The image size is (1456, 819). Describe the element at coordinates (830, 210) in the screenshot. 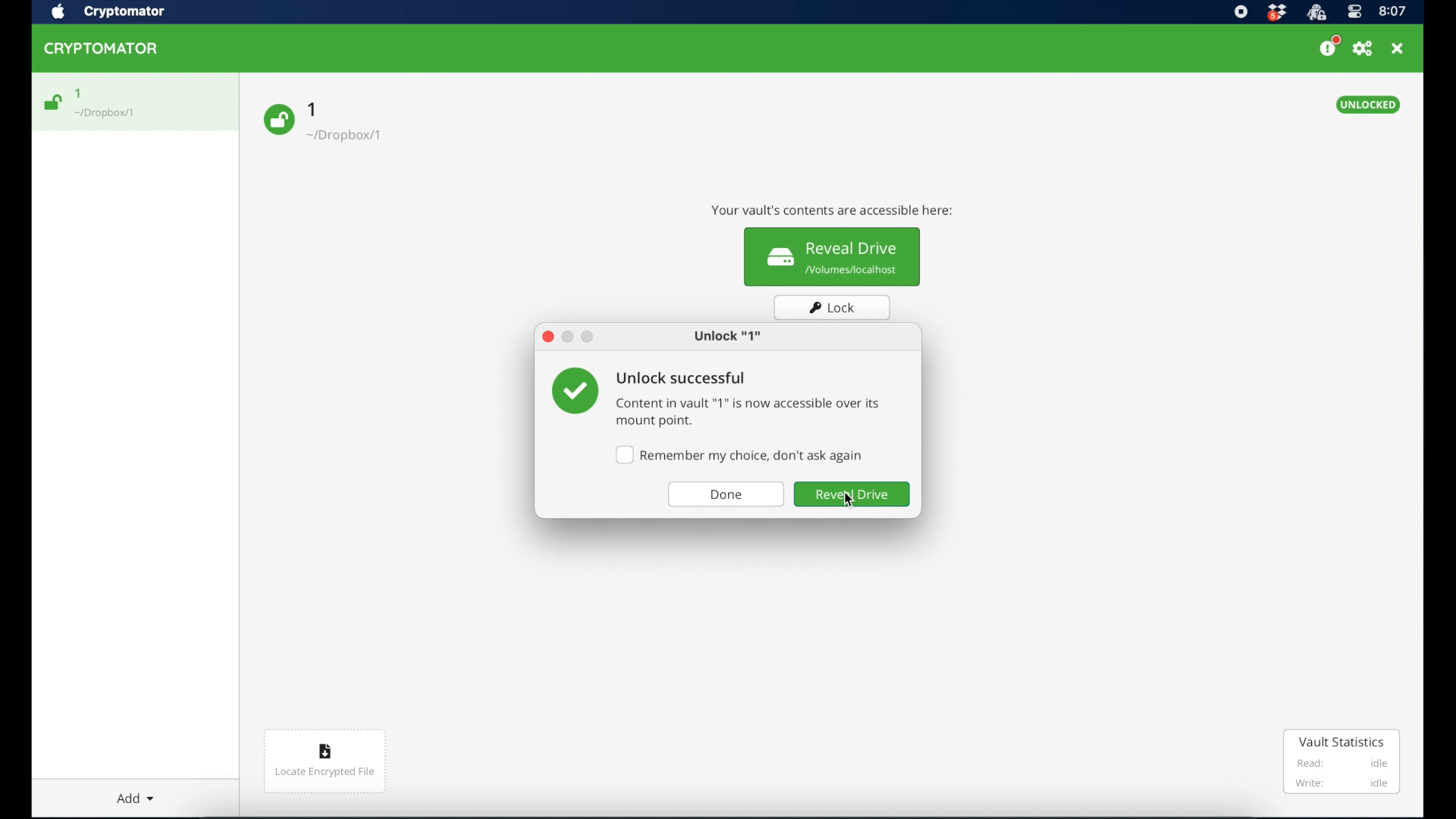

I see `info` at that location.